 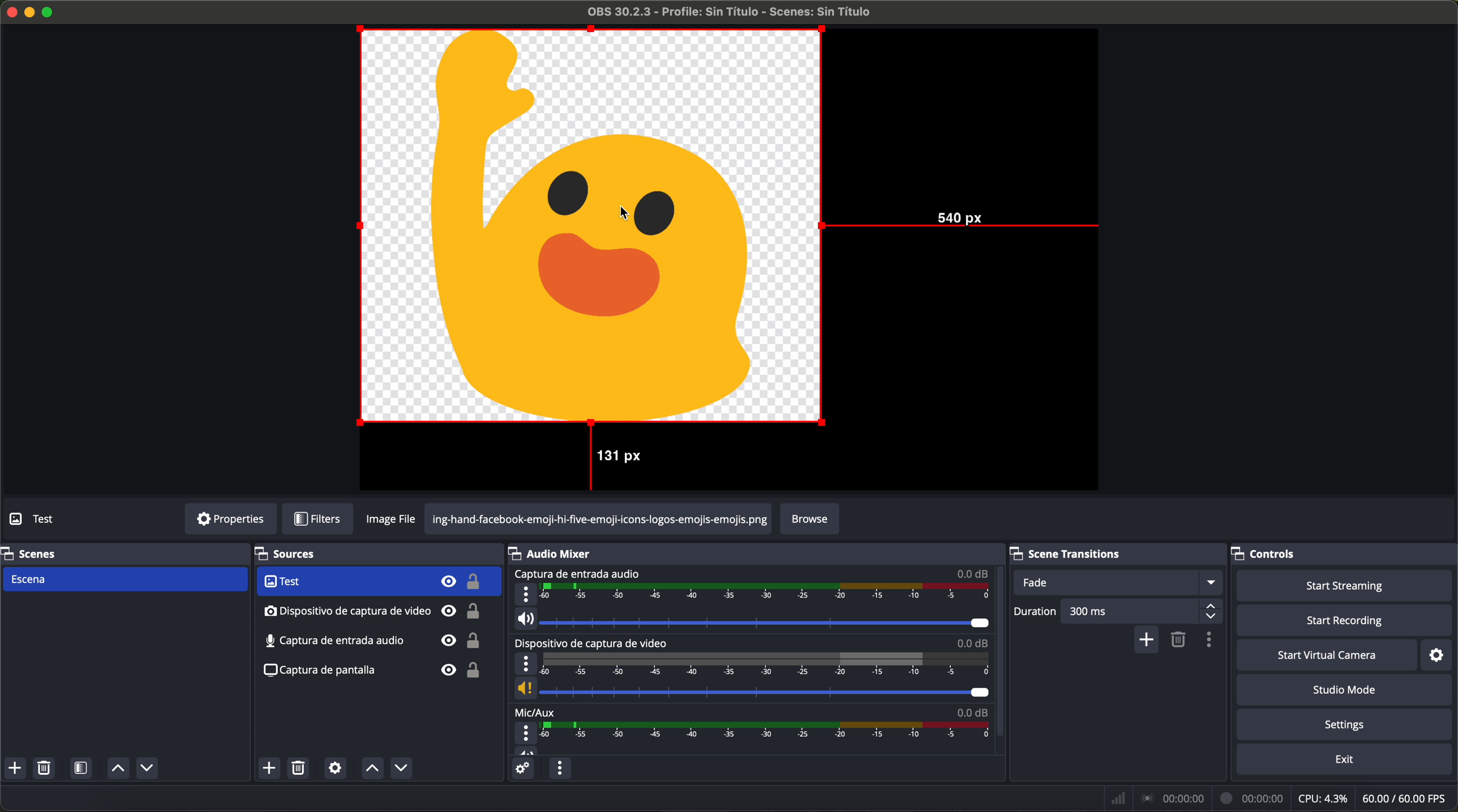 I want to click on settings, so click(x=1348, y=725).